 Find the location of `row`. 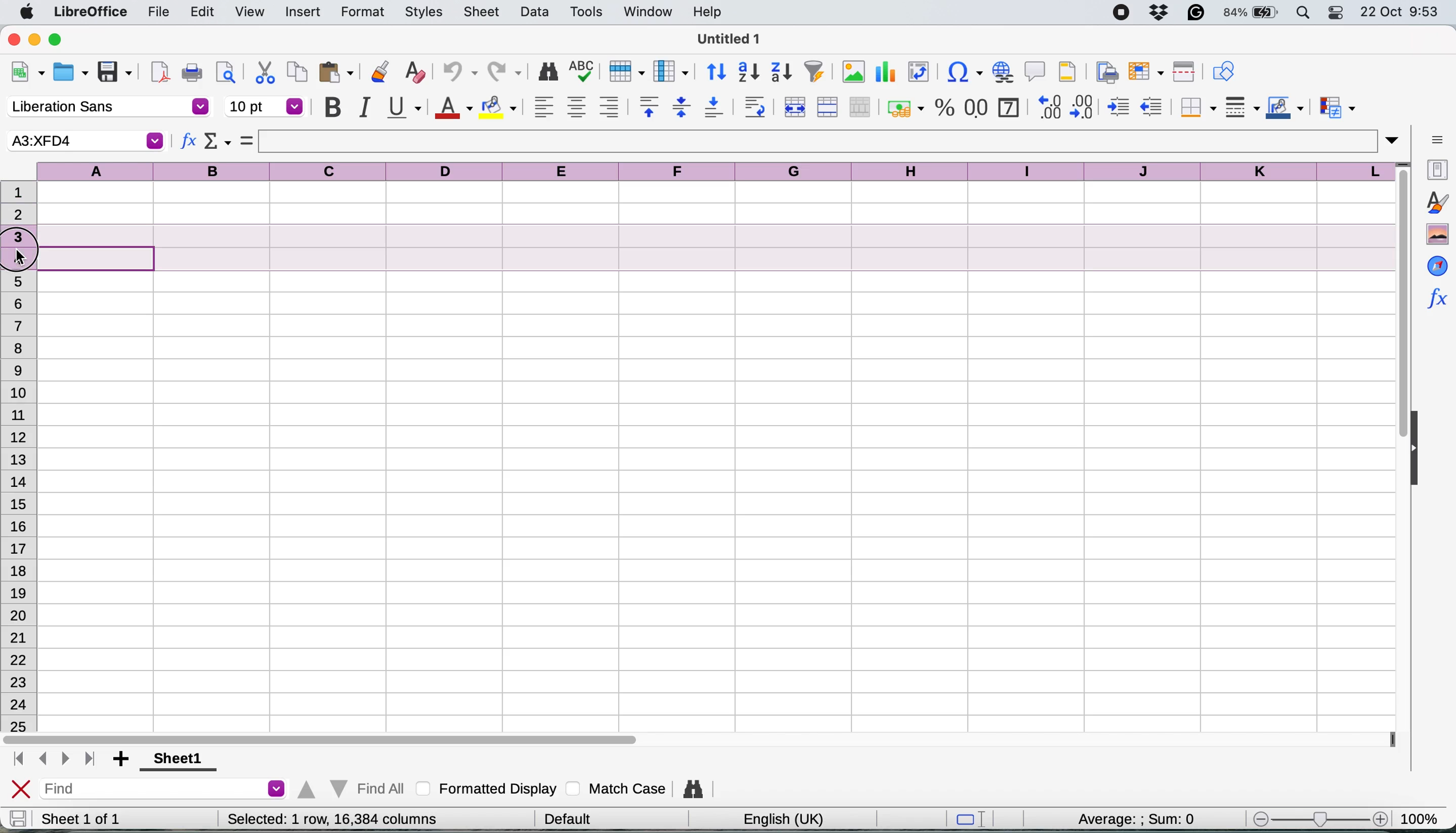

row is located at coordinates (624, 70).